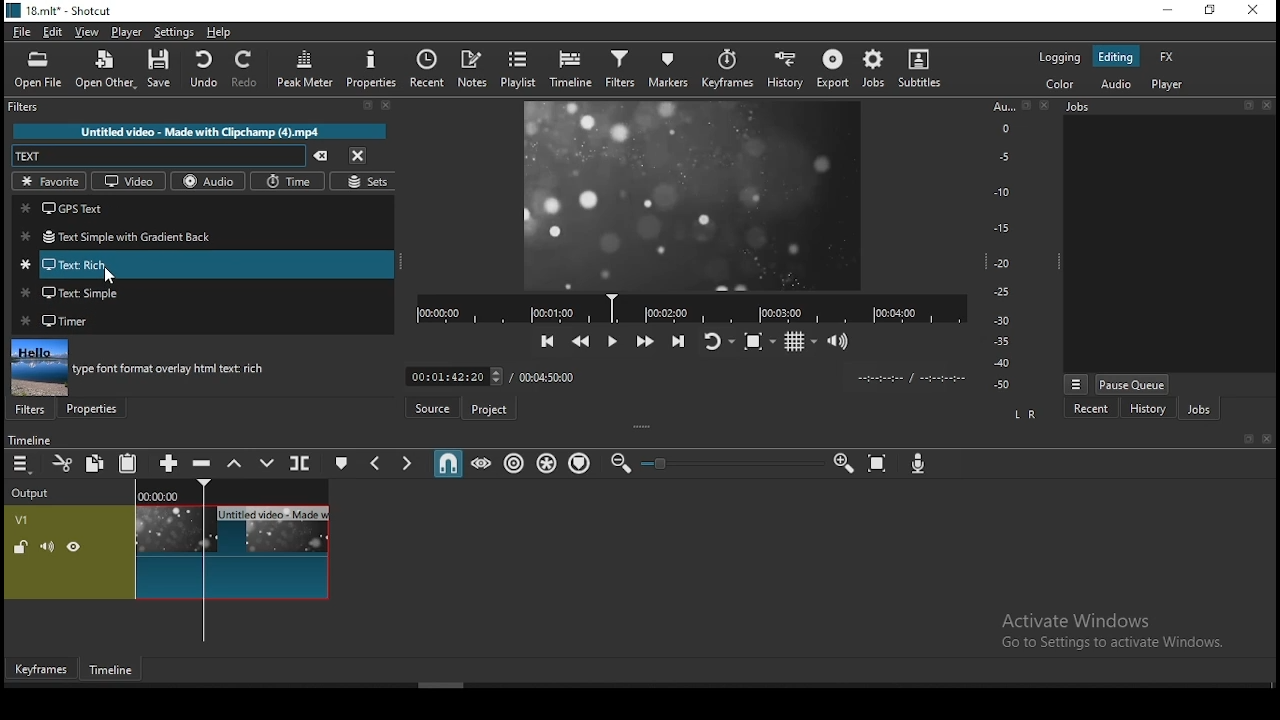 The width and height of the screenshot is (1280, 720). What do you see at coordinates (62, 463) in the screenshot?
I see `cut` at bounding box center [62, 463].